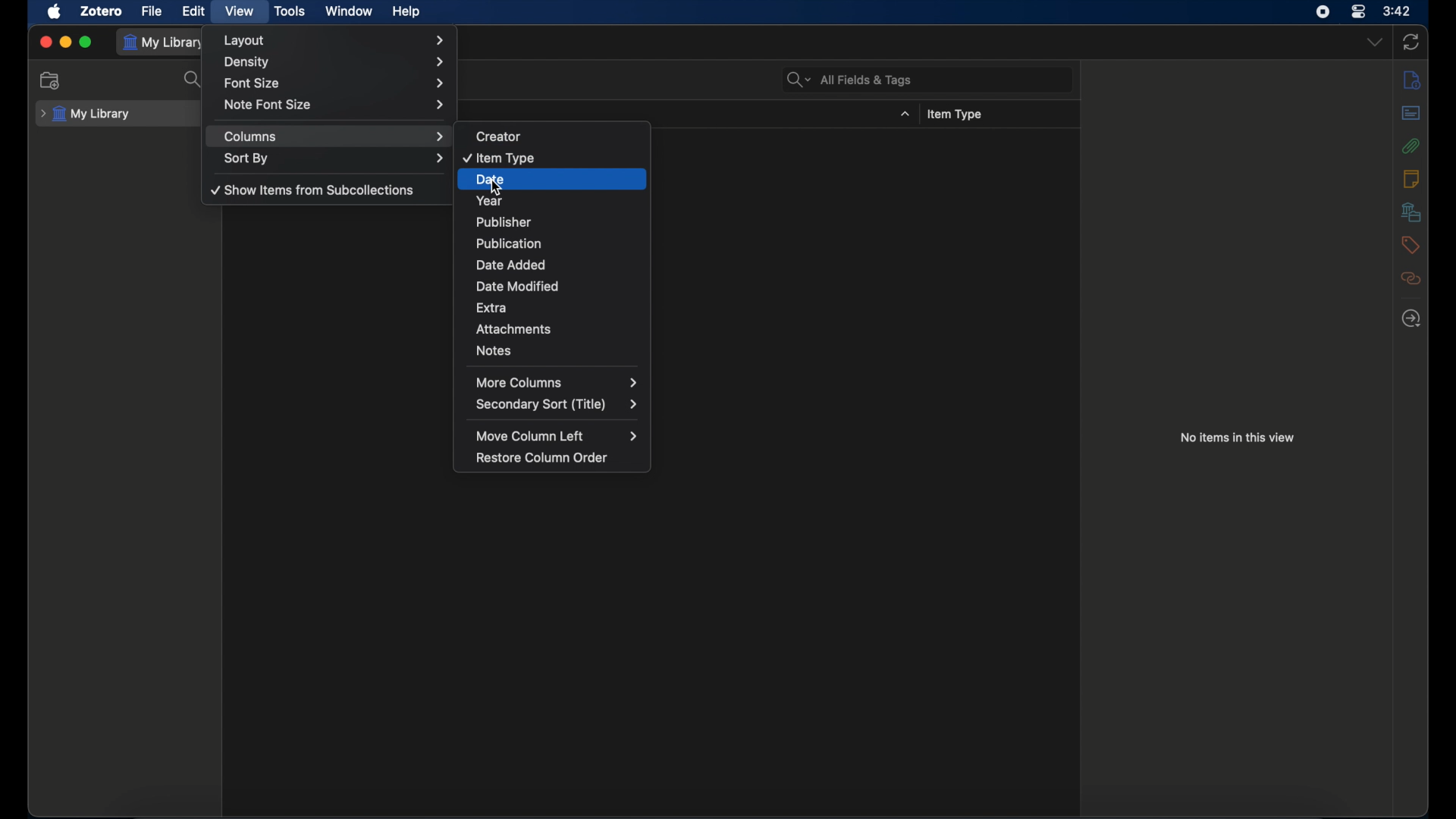  I want to click on attachments, so click(557, 330).